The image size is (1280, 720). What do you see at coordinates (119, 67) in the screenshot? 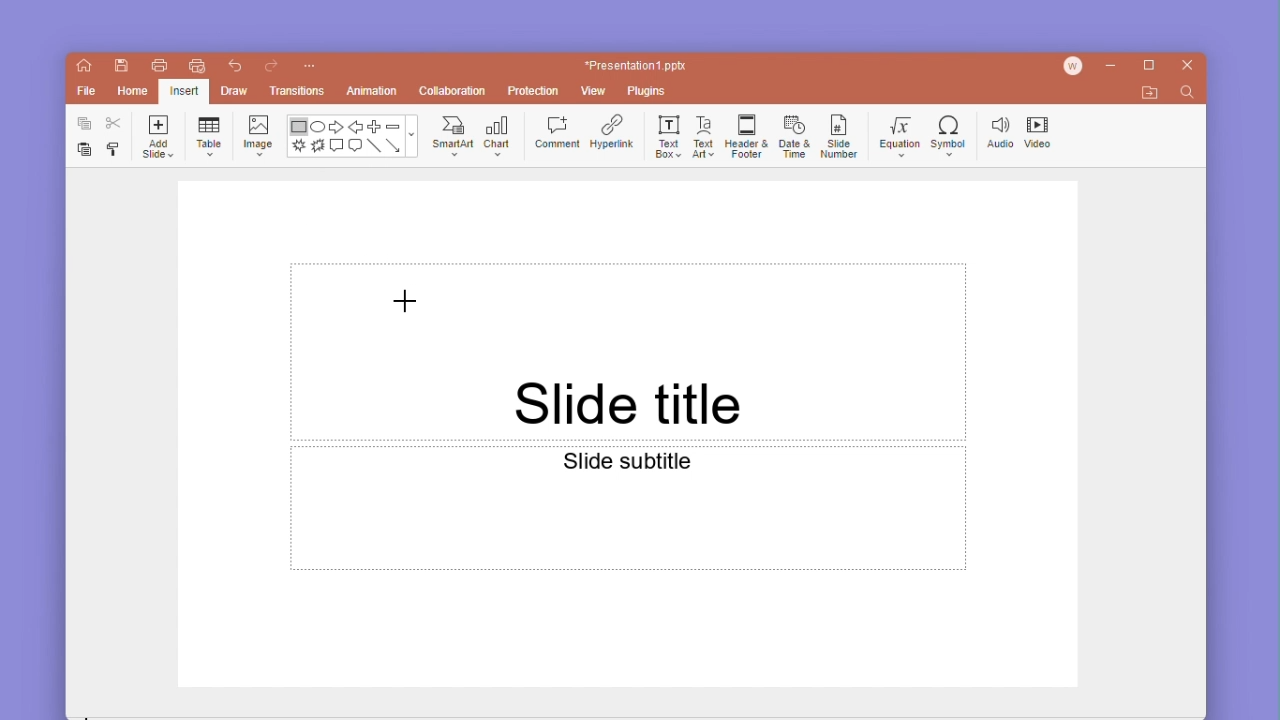
I see `save` at bounding box center [119, 67].